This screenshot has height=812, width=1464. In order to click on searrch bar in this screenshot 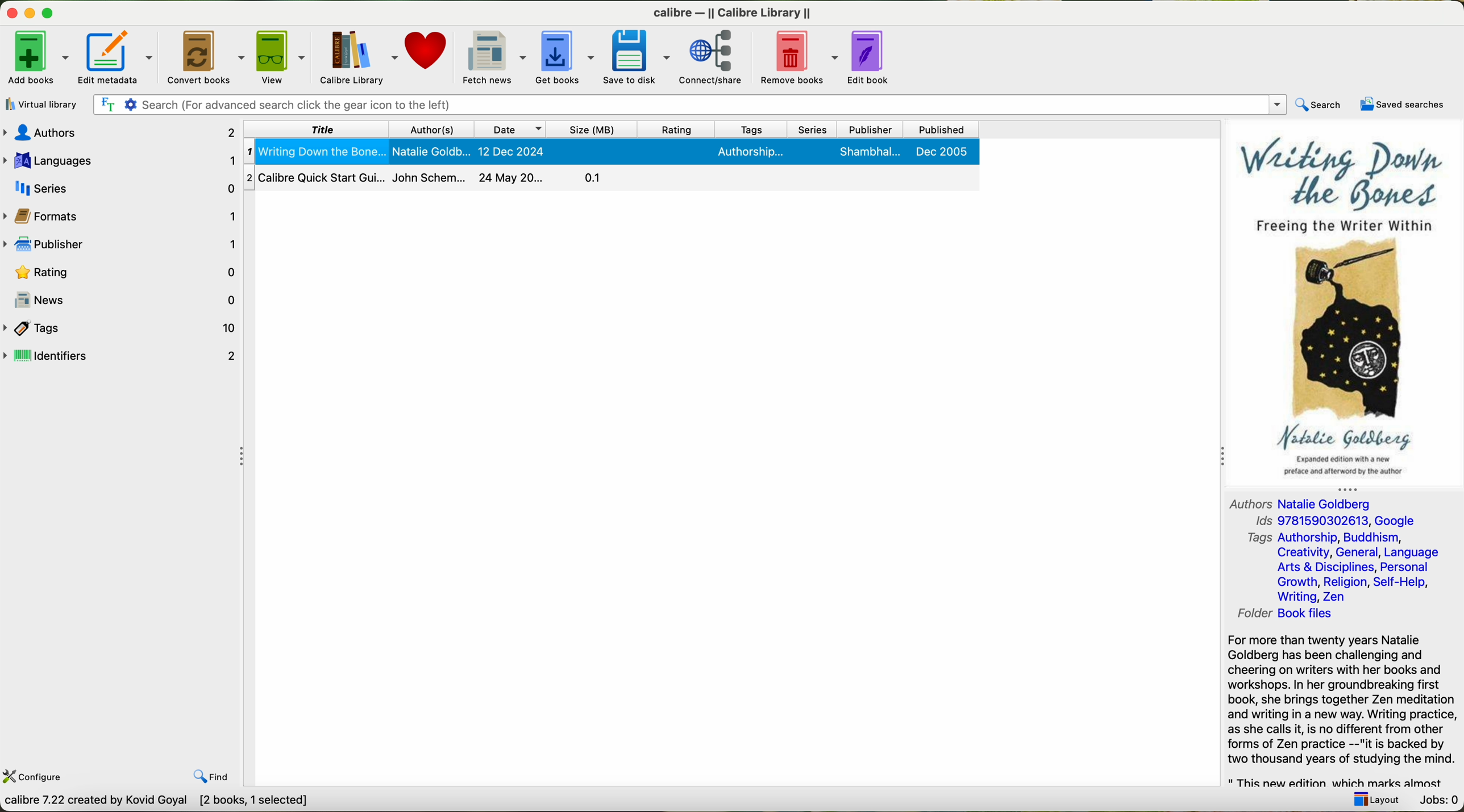, I will do `click(693, 104)`.